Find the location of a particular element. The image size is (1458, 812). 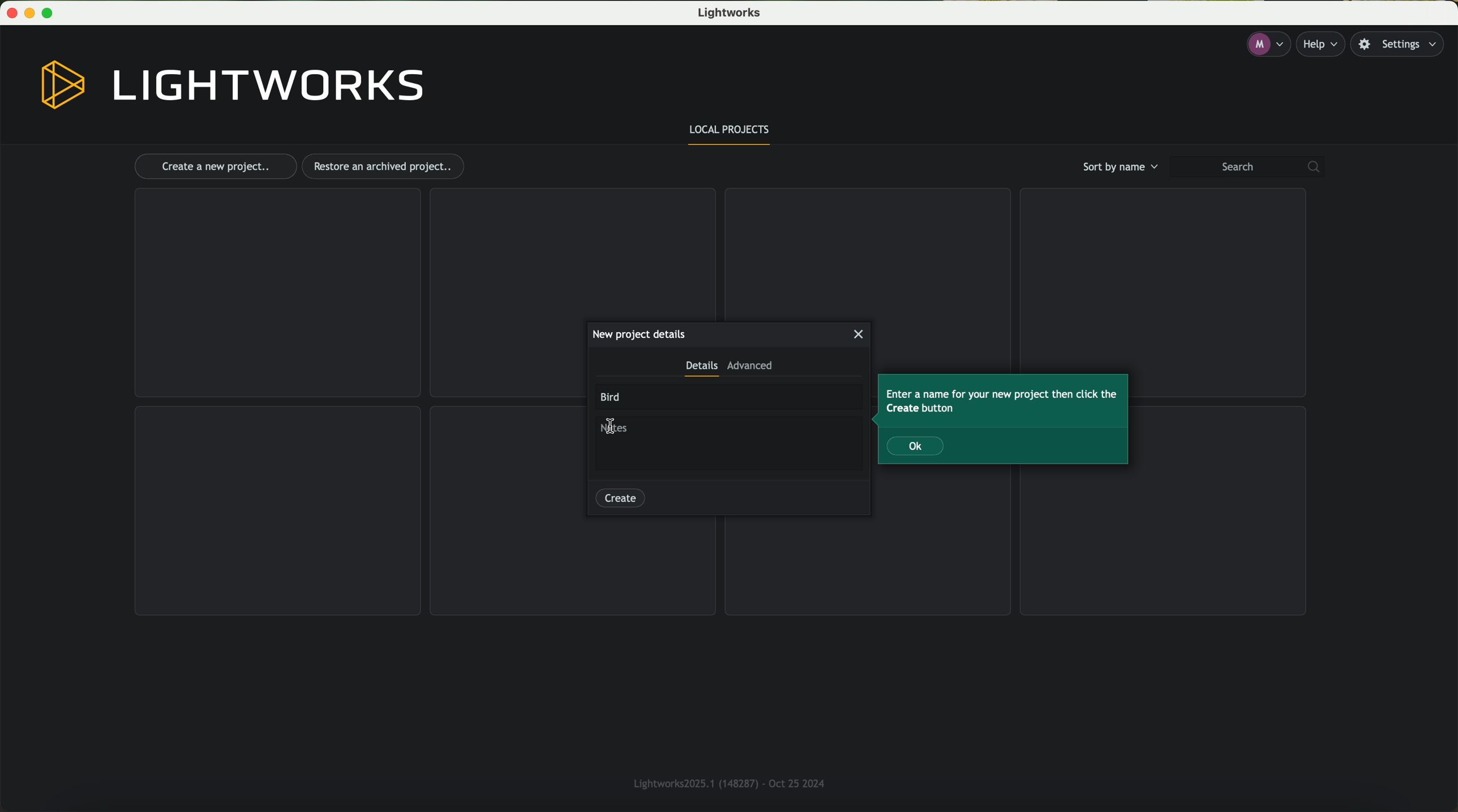

grid is located at coordinates (865, 251).